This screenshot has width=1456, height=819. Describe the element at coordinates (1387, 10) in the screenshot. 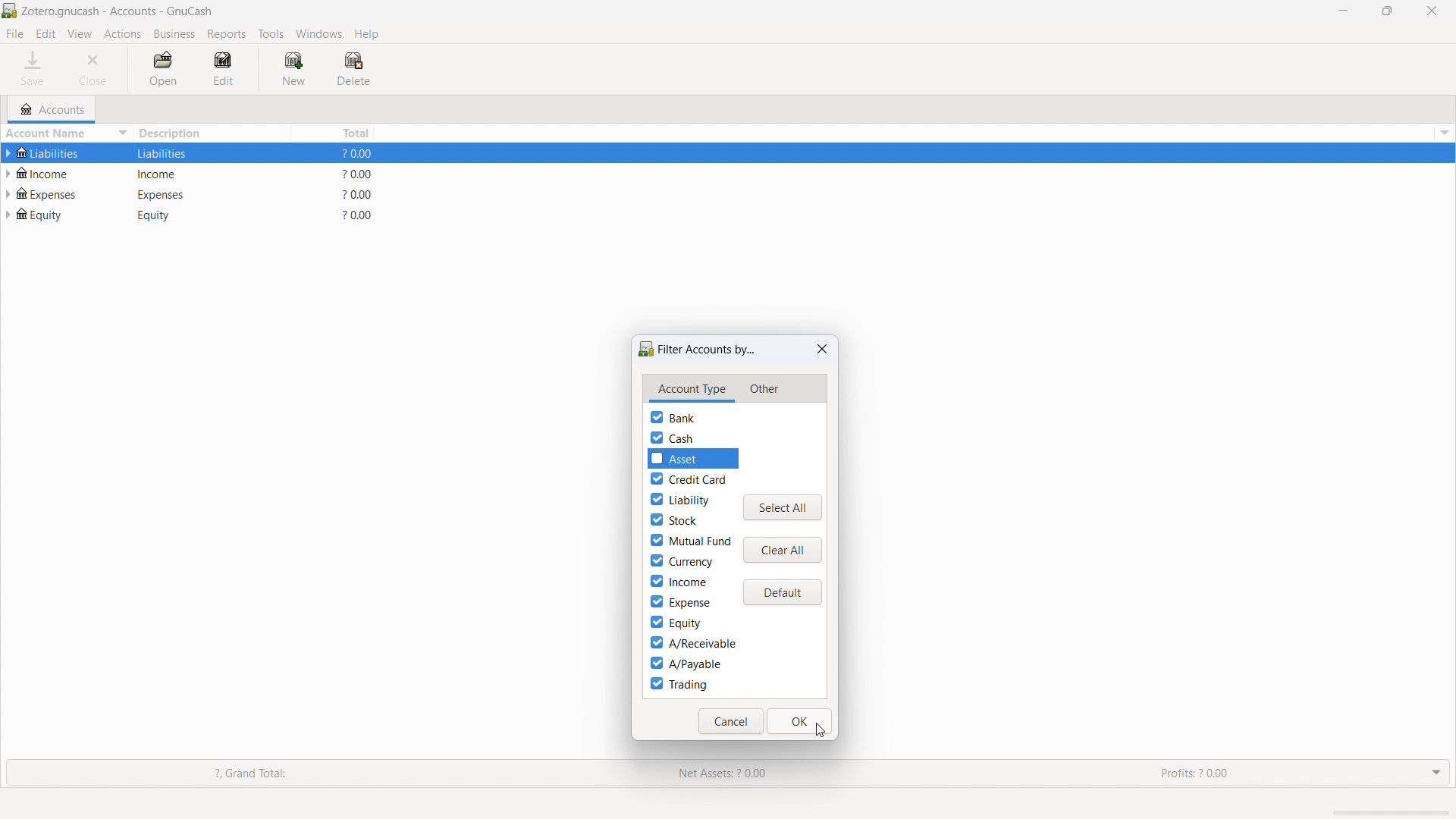

I see `maximize` at that location.